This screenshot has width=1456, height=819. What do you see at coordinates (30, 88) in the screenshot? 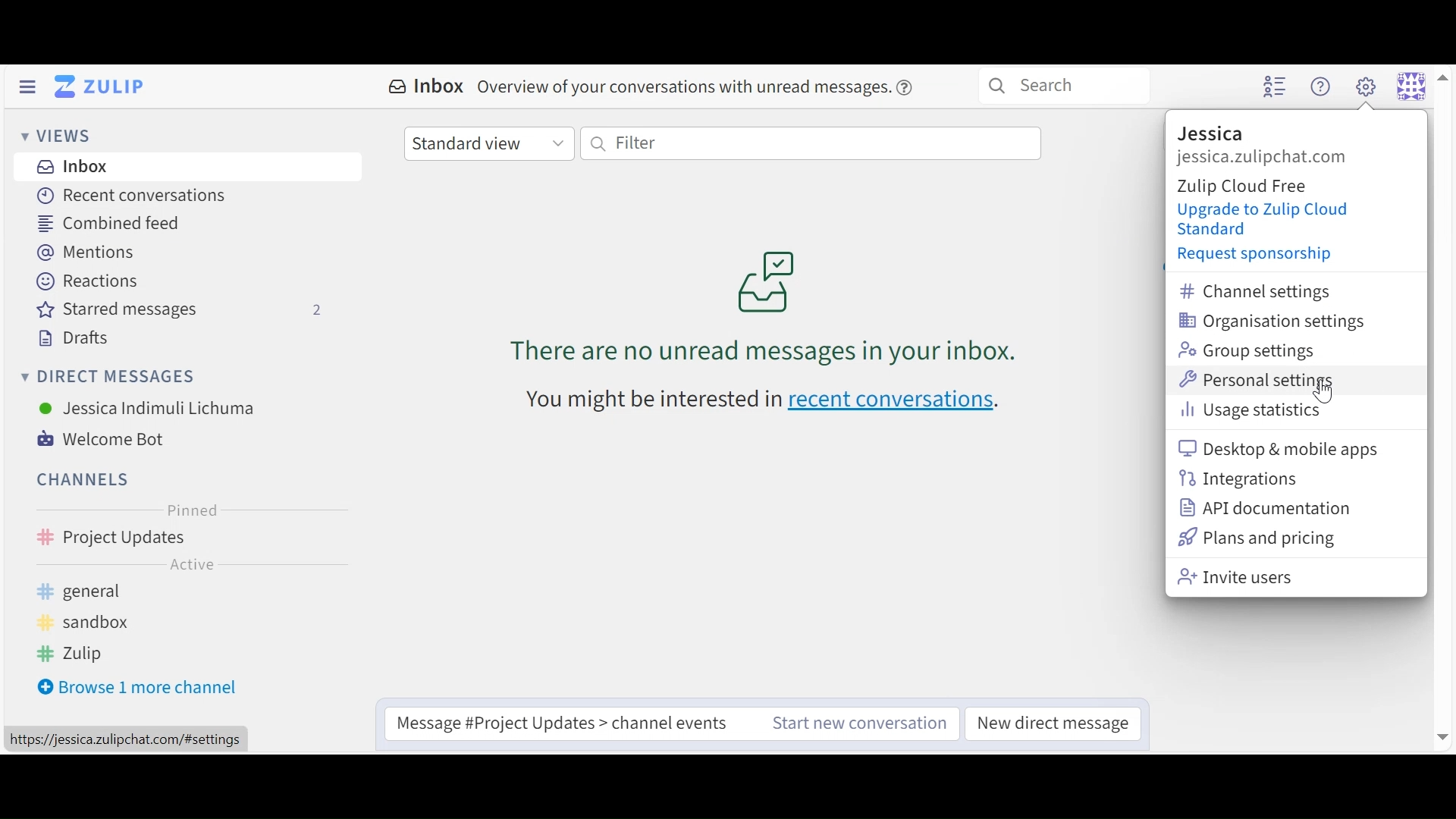
I see `Hide Left Sidebar` at bounding box center [30, 88].